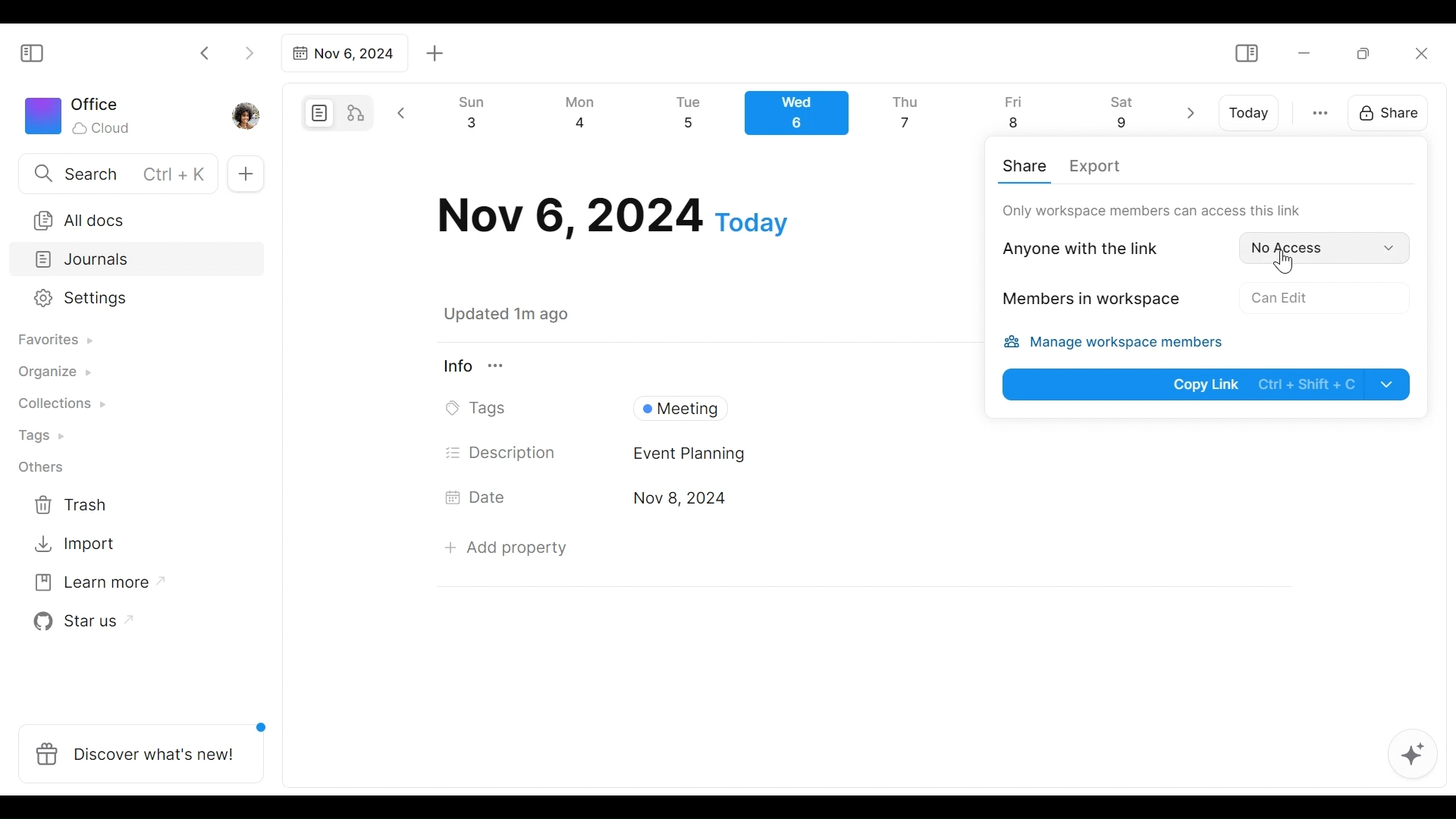 The height and width of the screenshot is (819, 1456). I want to click on Discover what's new, so click(147, 745).